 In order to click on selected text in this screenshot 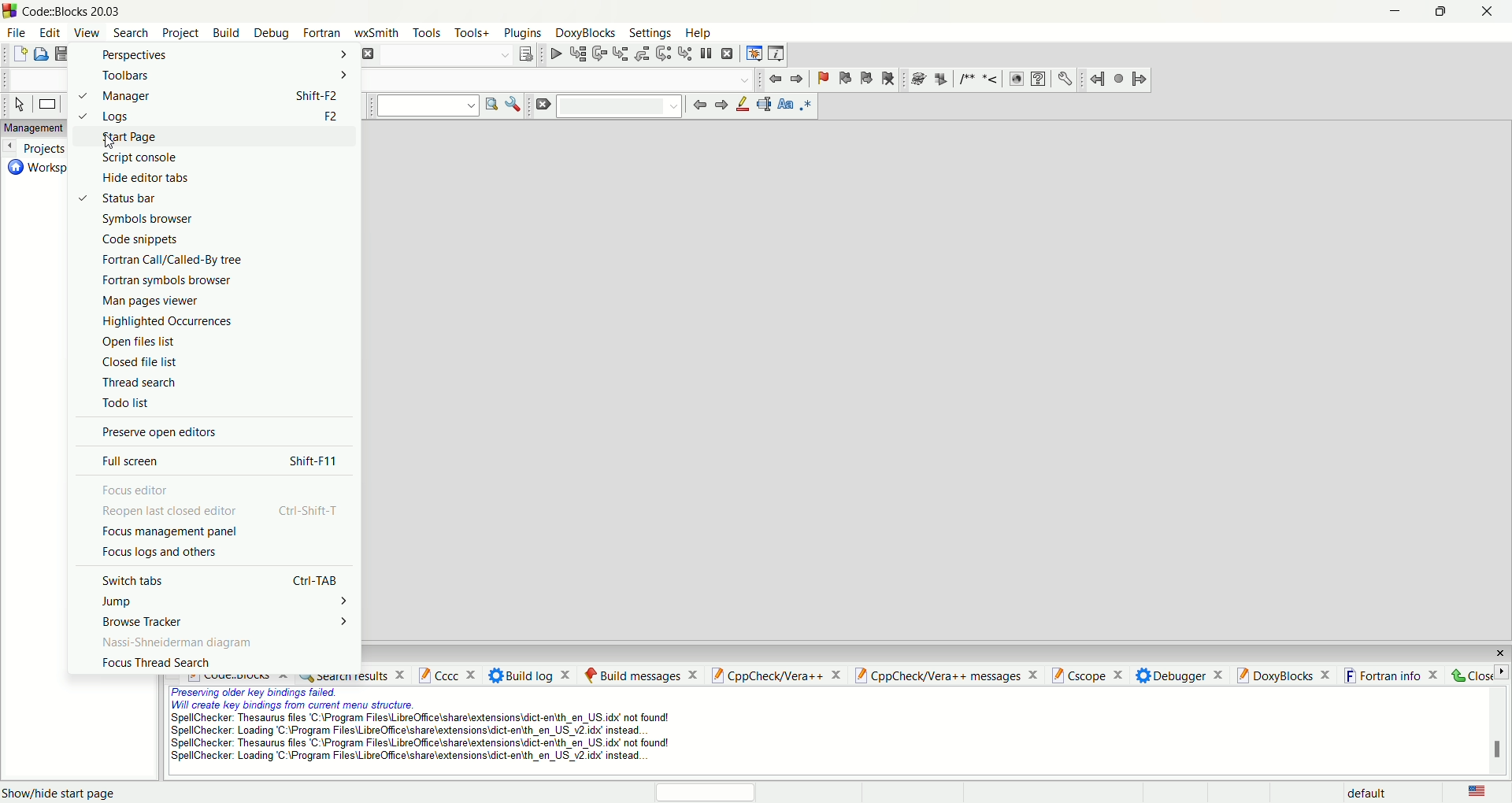, I will do `click(765, 105)`.